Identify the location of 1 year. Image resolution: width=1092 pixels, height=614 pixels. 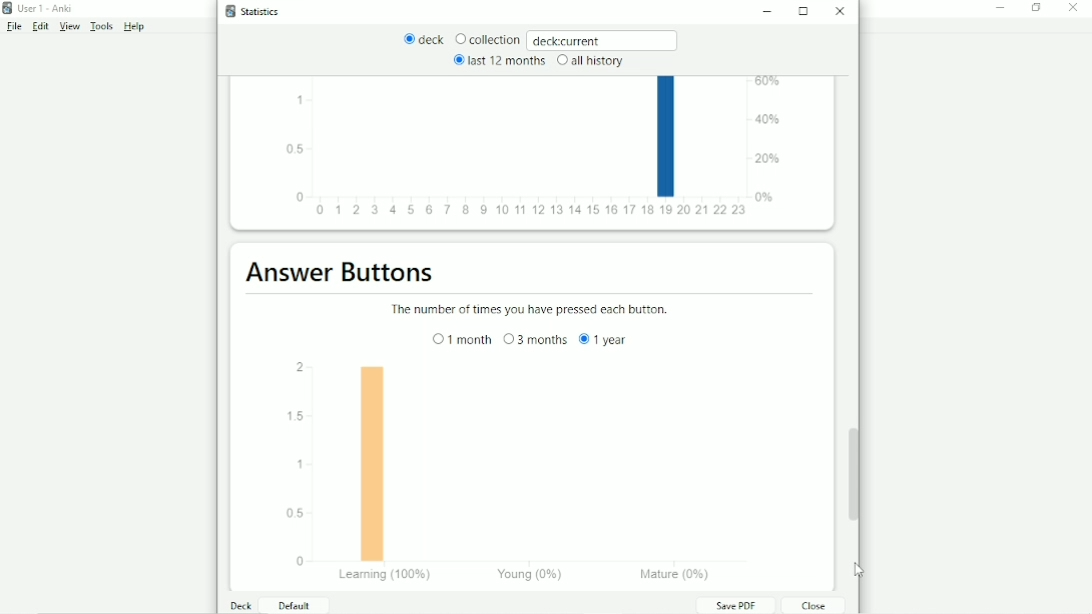
(605, 339).